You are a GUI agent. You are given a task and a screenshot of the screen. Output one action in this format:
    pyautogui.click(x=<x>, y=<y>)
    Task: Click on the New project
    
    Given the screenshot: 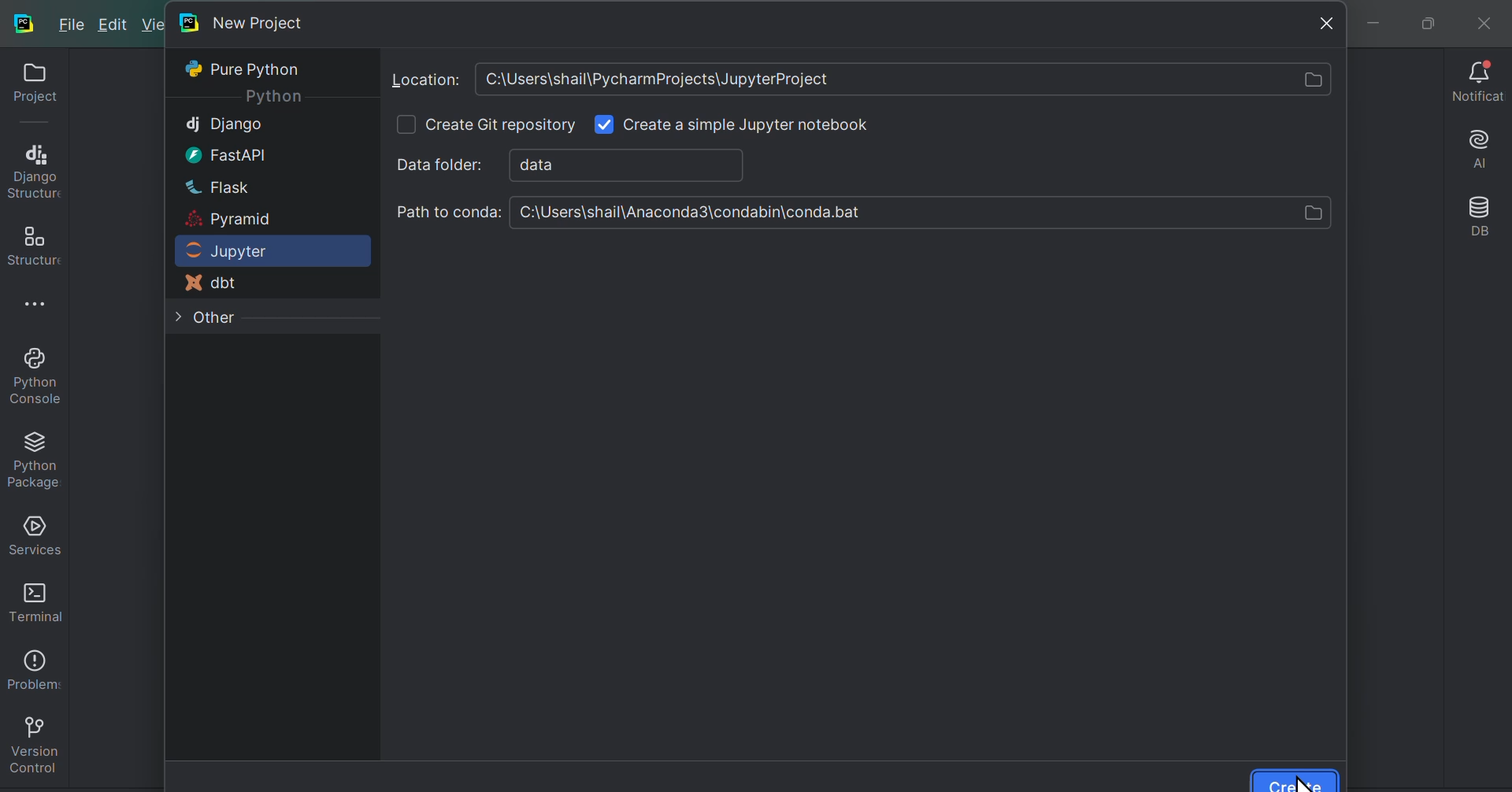 What is the action you would take?
    pyautogui.click(x=245, y=21)
    